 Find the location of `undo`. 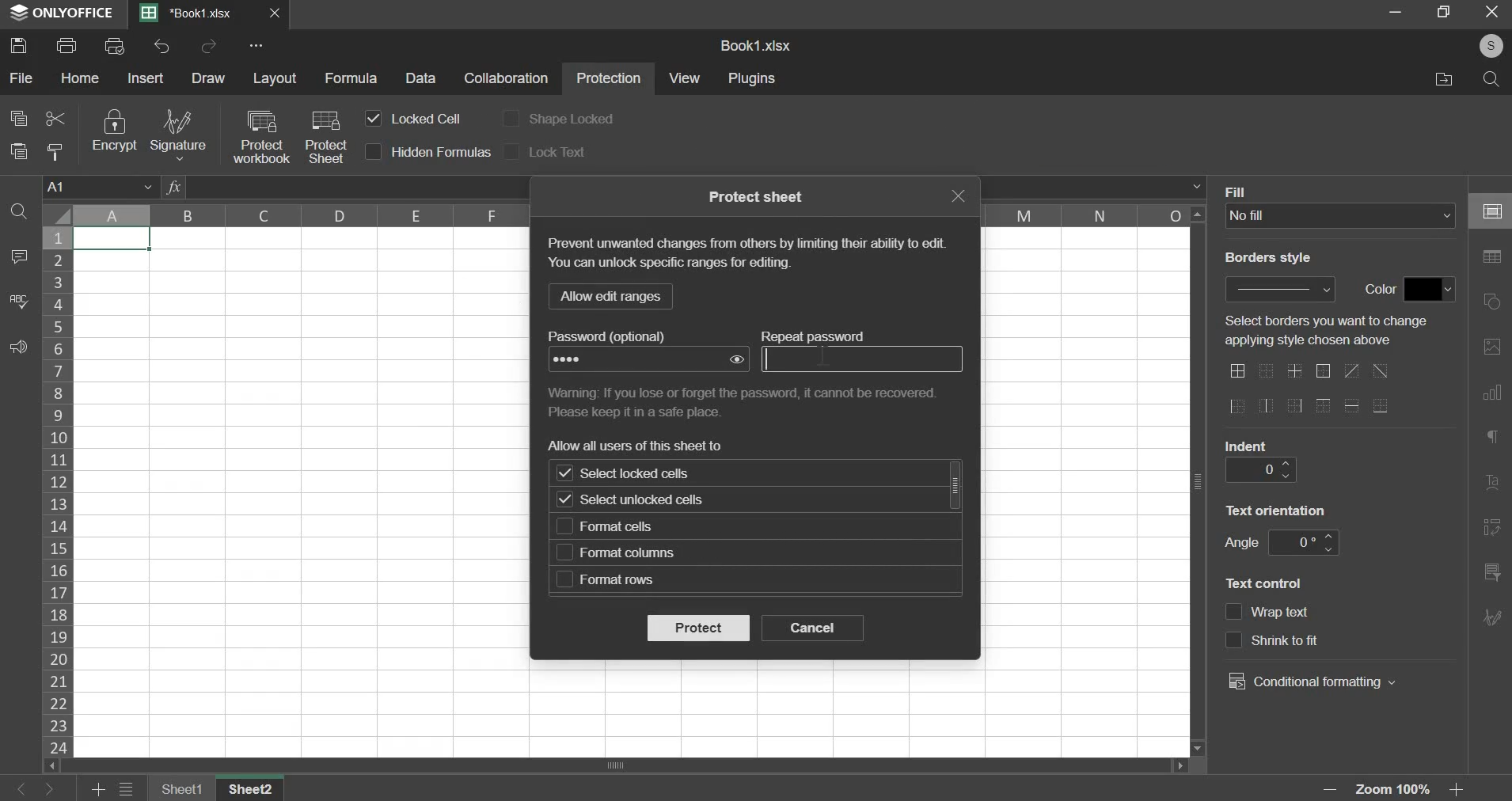

undo is located at coordinates (162, 46).